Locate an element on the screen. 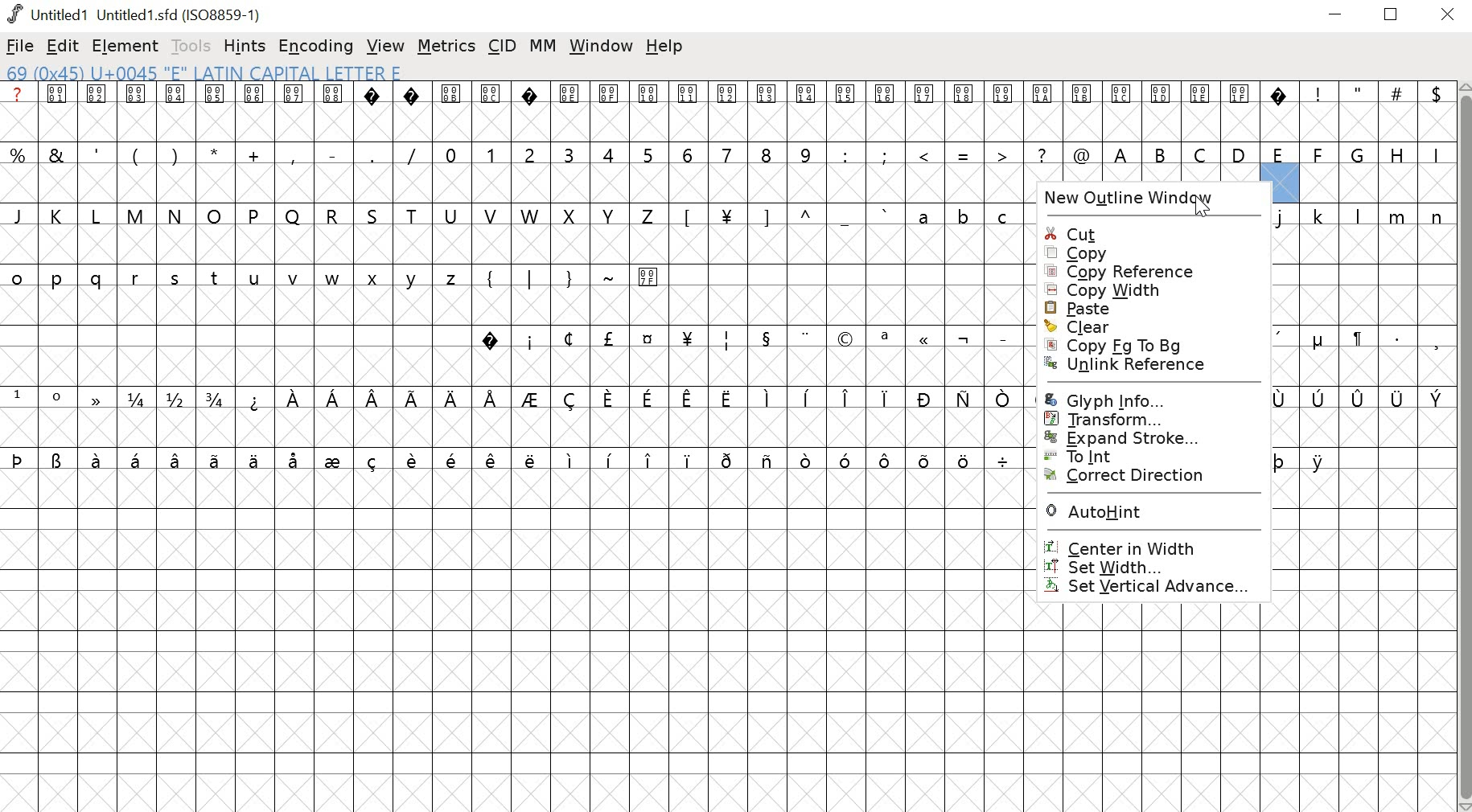  special characters is located at coordinates (1359, 398).